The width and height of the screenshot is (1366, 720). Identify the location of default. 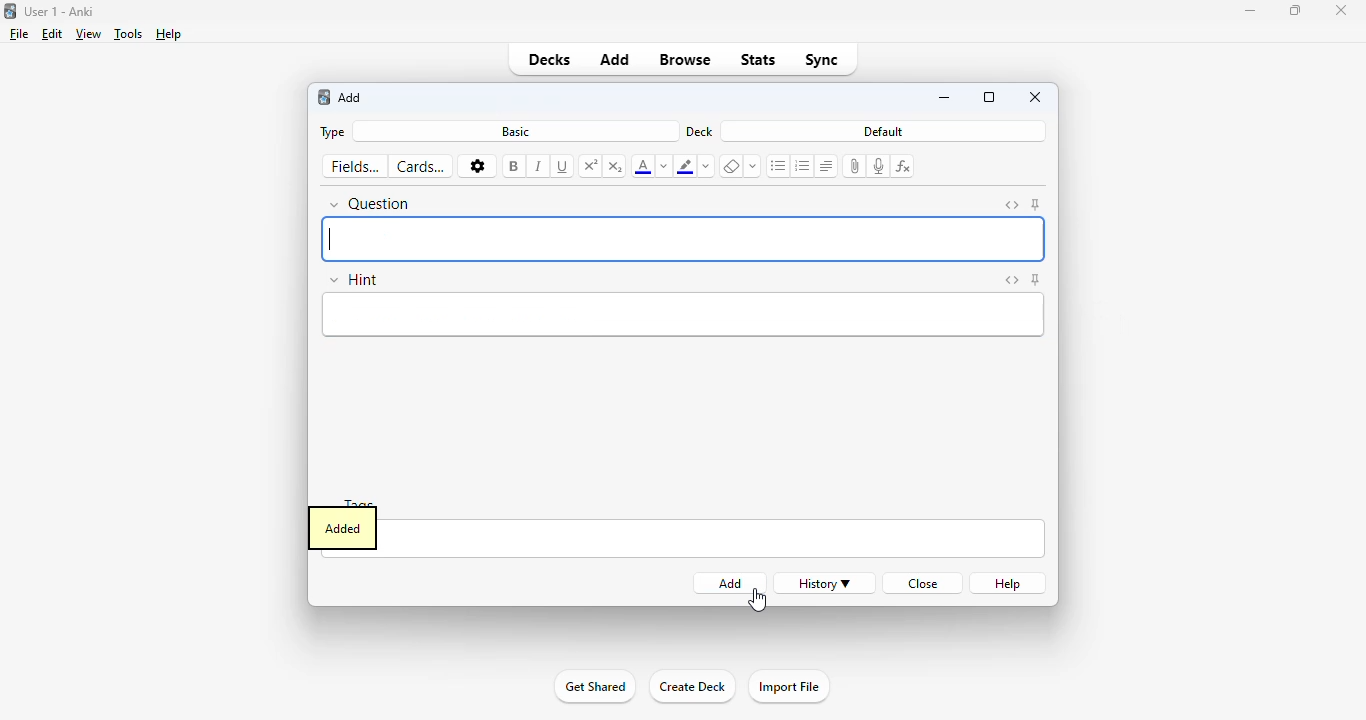
(881, 131).